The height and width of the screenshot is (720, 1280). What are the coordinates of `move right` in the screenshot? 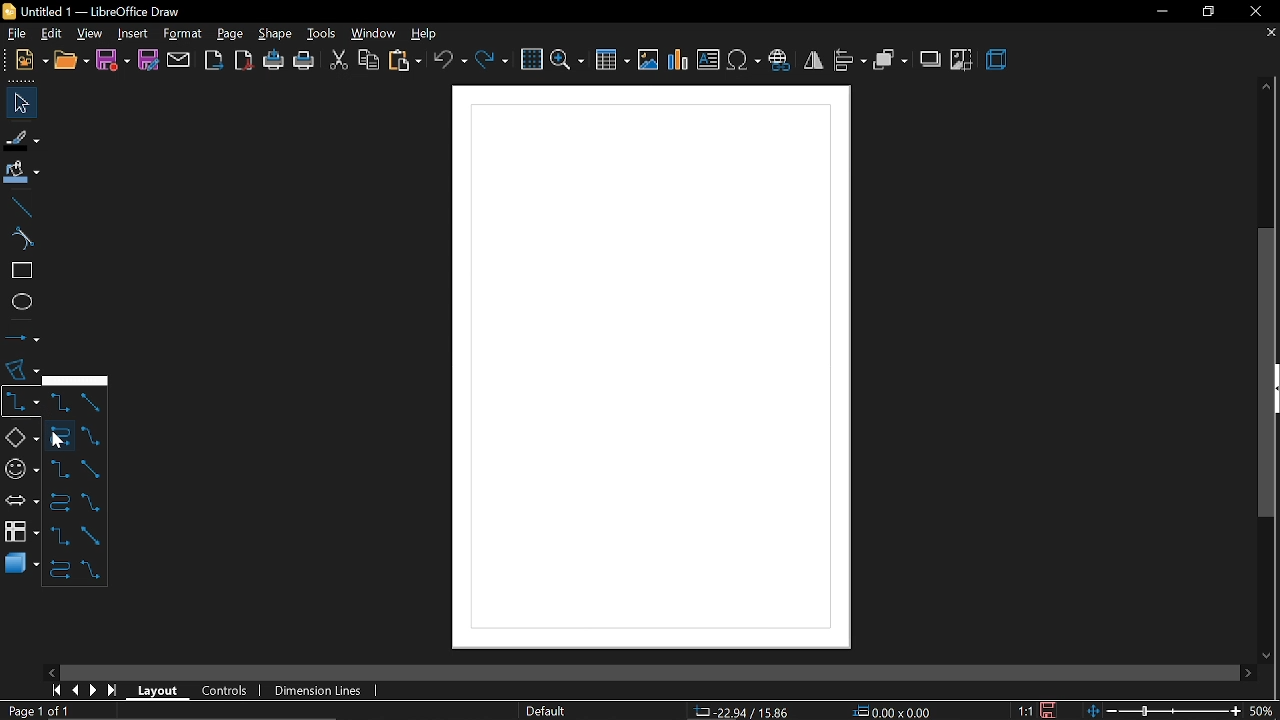 It's located at (1248, 671).